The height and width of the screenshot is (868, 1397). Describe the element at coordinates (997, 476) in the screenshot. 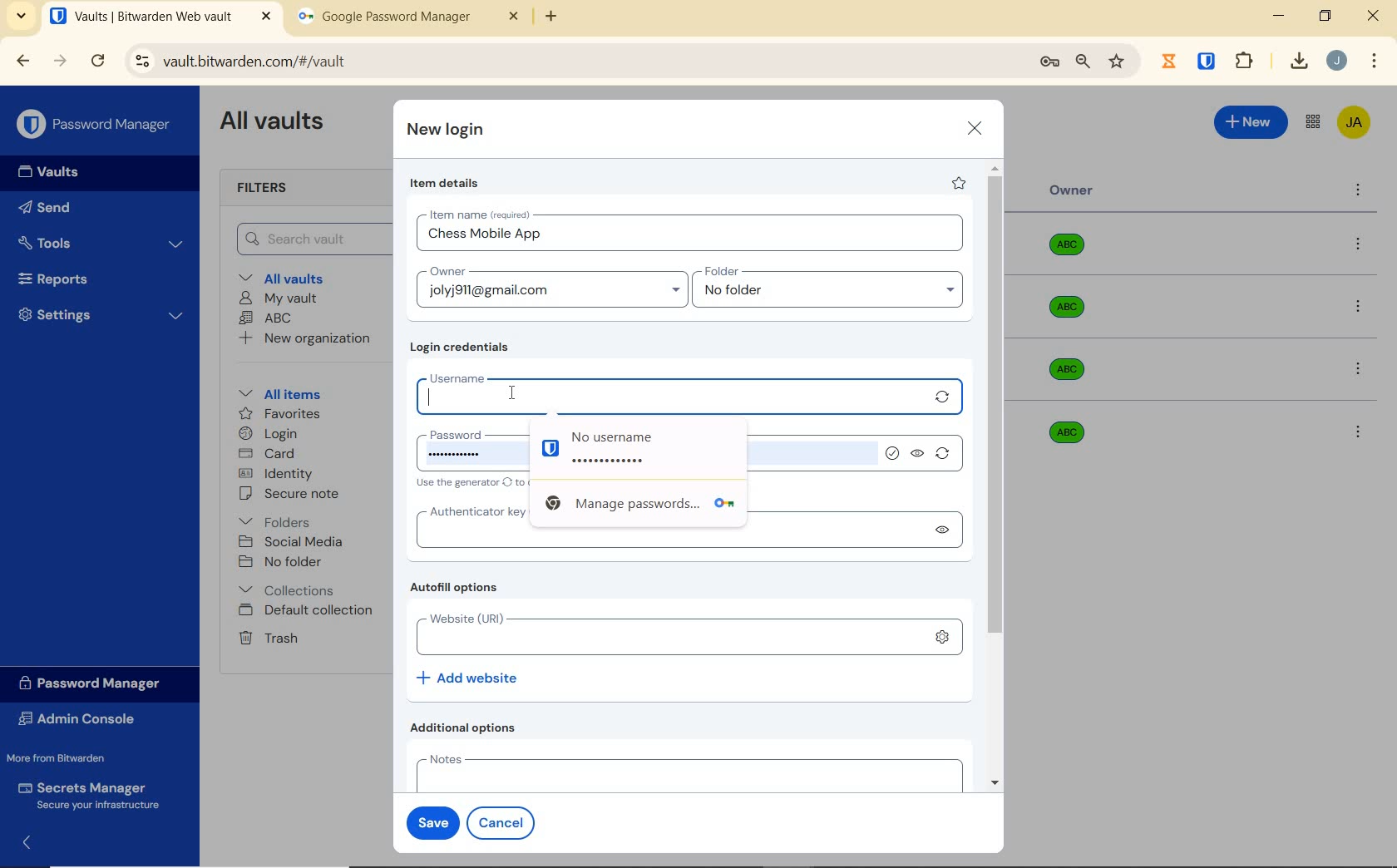

I see `scrollbar` at that location.